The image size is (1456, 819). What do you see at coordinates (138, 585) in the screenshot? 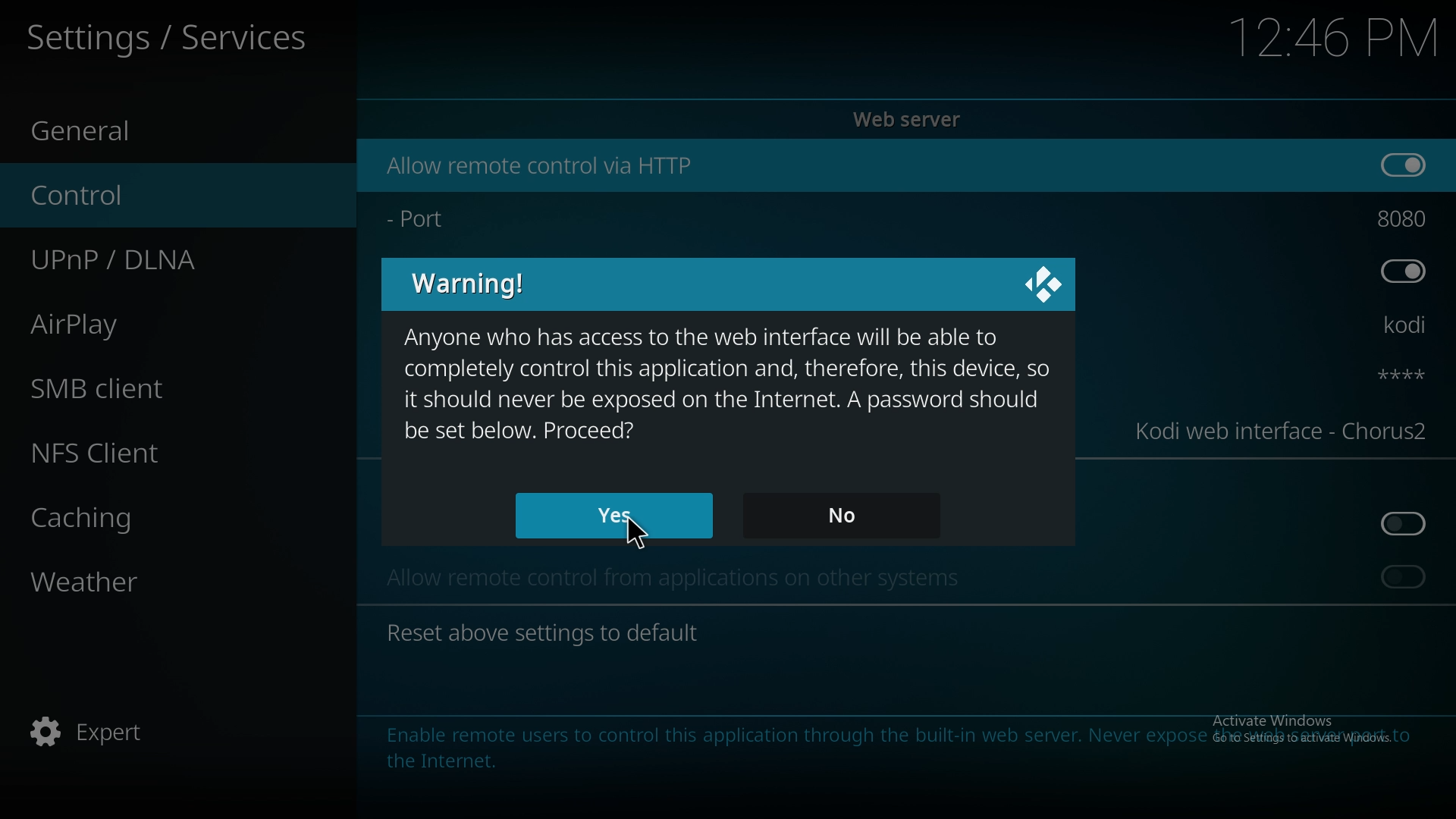
I see `weather` at bounding box center [138, 585].